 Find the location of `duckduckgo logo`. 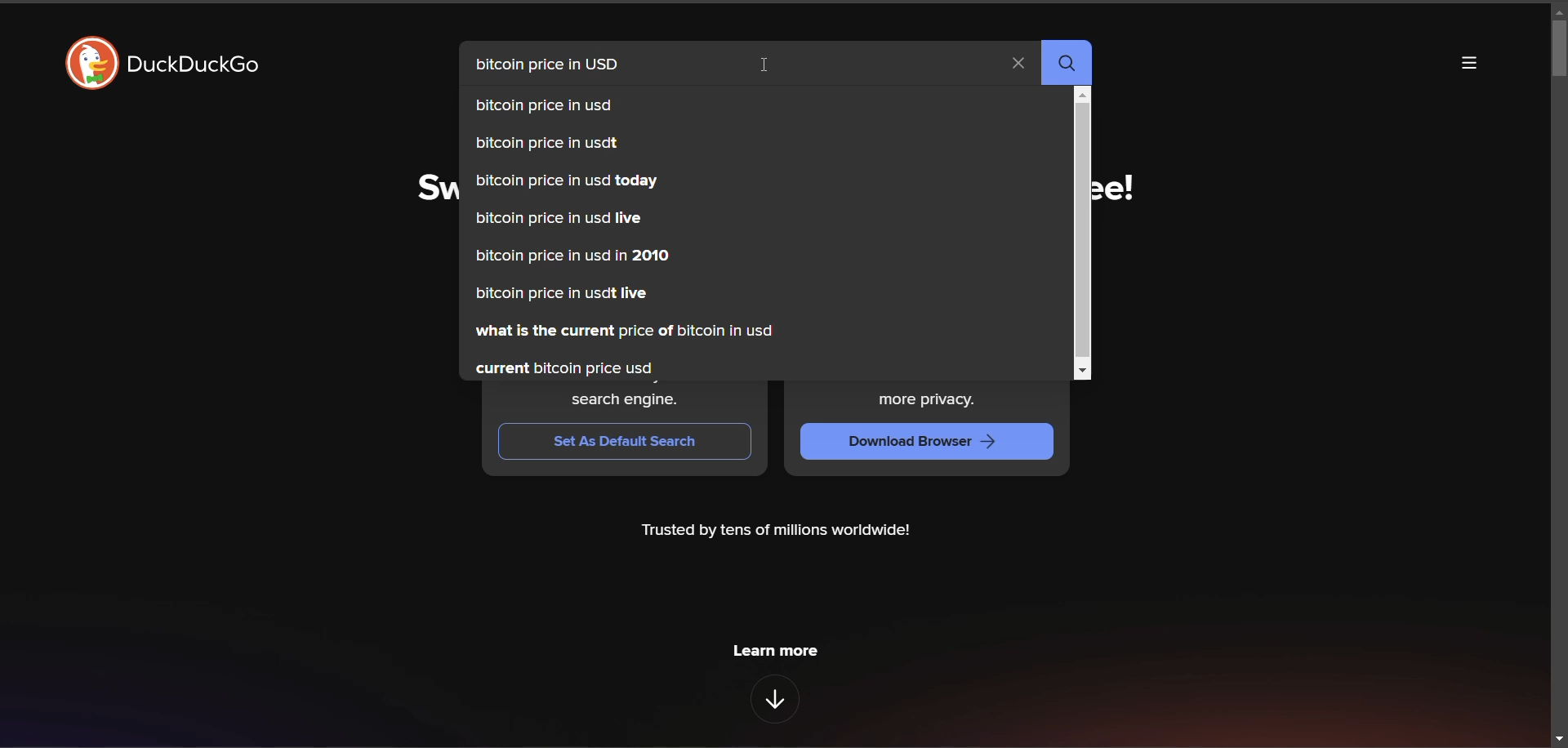

duckduckgo logo is located at coordinates (80, 63).